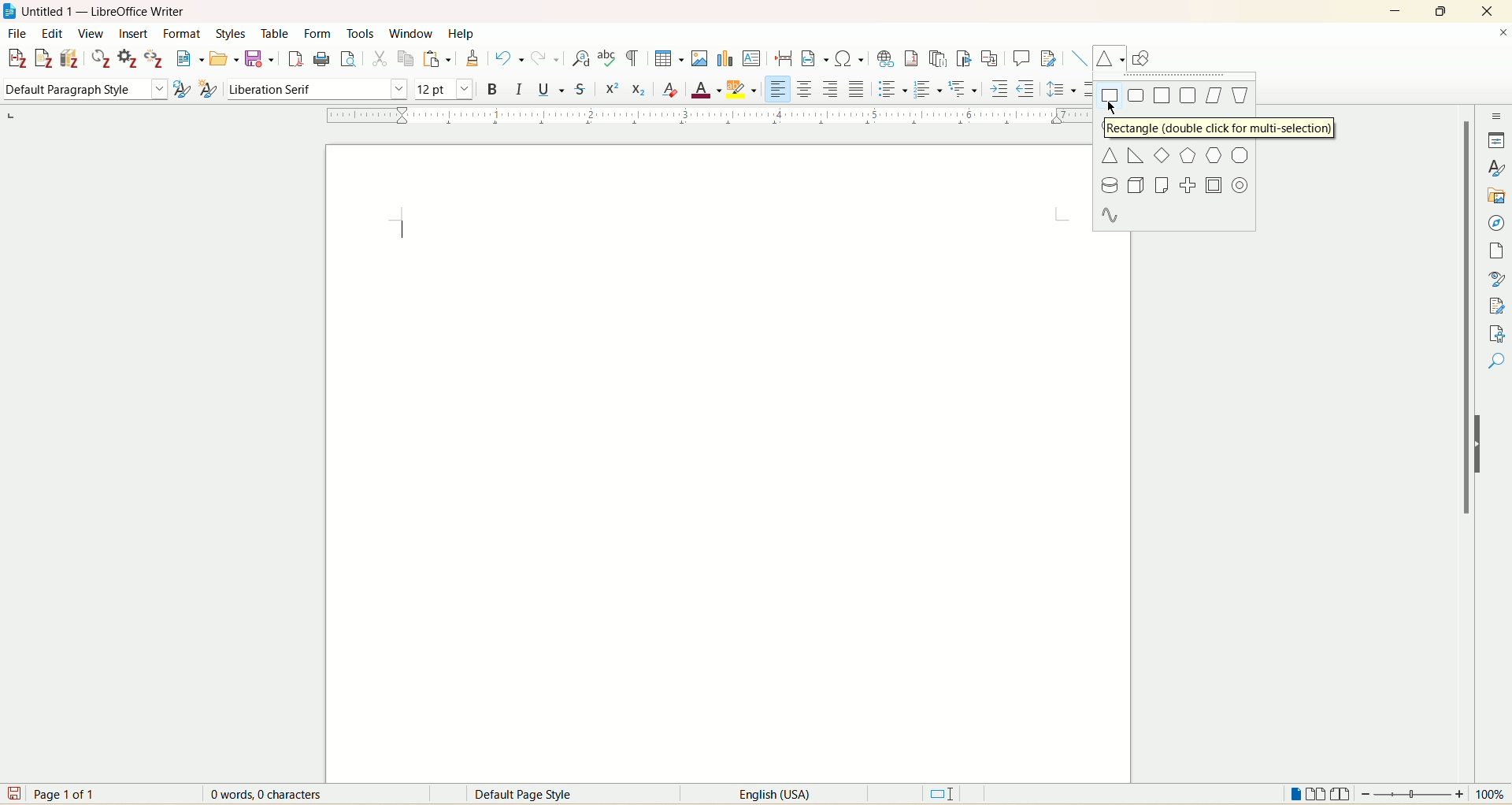 The width and height of the screenshot is (1512, 805). I want to click on unlink citation, so click(155, 58).